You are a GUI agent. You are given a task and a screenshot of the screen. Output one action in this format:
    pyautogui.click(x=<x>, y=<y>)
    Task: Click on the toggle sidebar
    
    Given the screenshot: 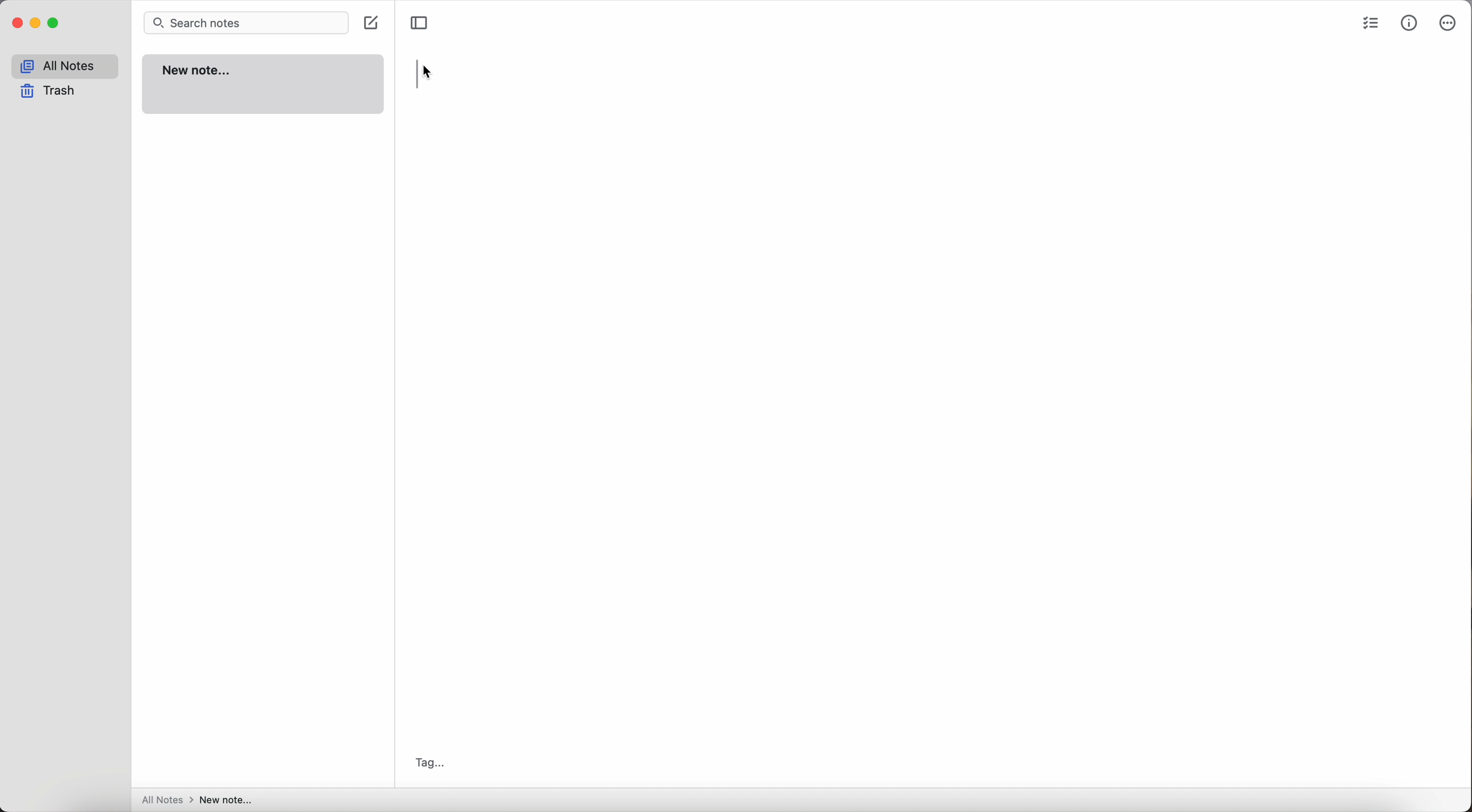 What is the action you would take?
    pyautogui.click(x=419, y=23)
    